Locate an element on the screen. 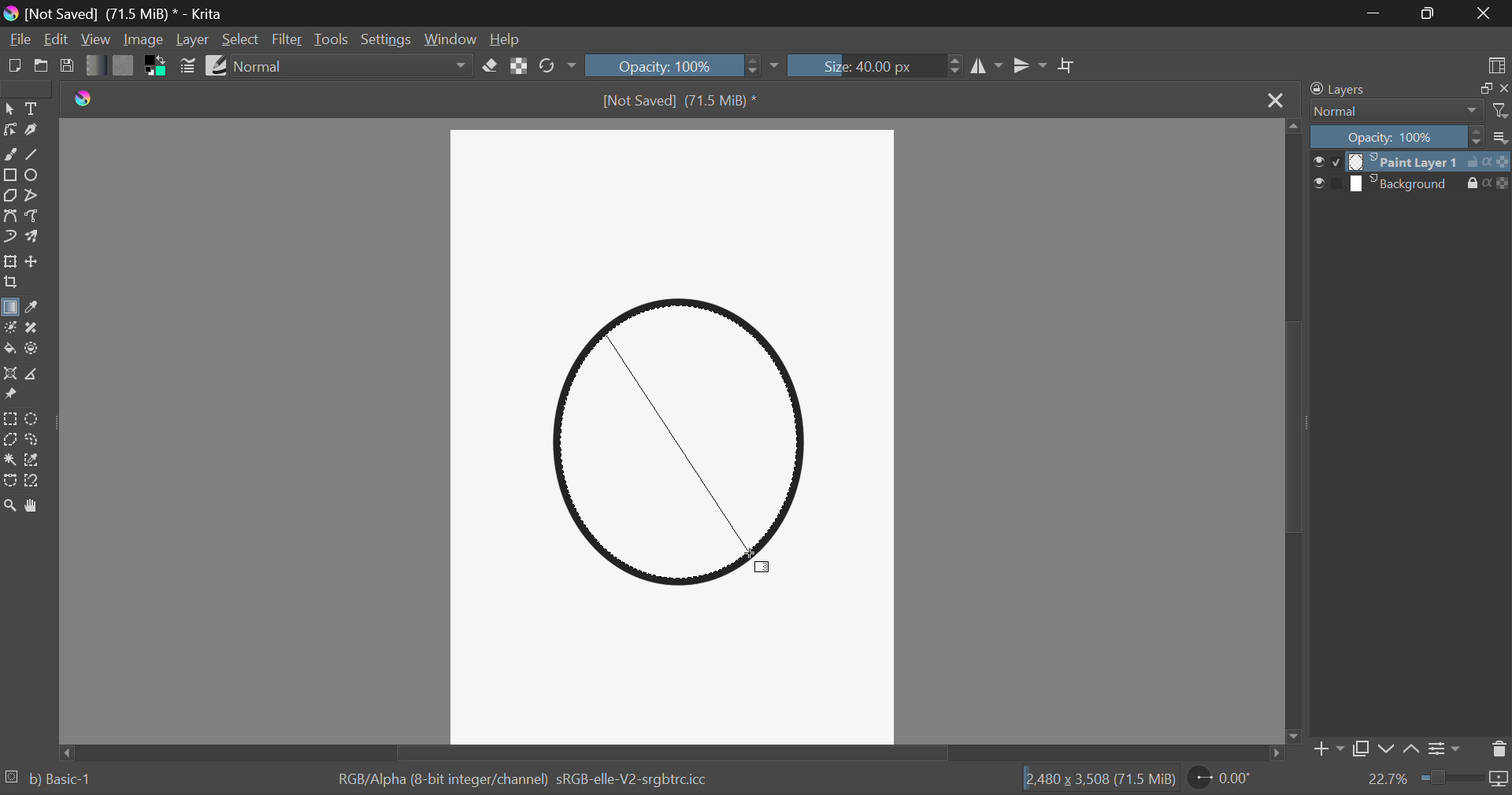 The height and width of the screenshot is (795, 1512). Line is located at coordinates (34, 155).